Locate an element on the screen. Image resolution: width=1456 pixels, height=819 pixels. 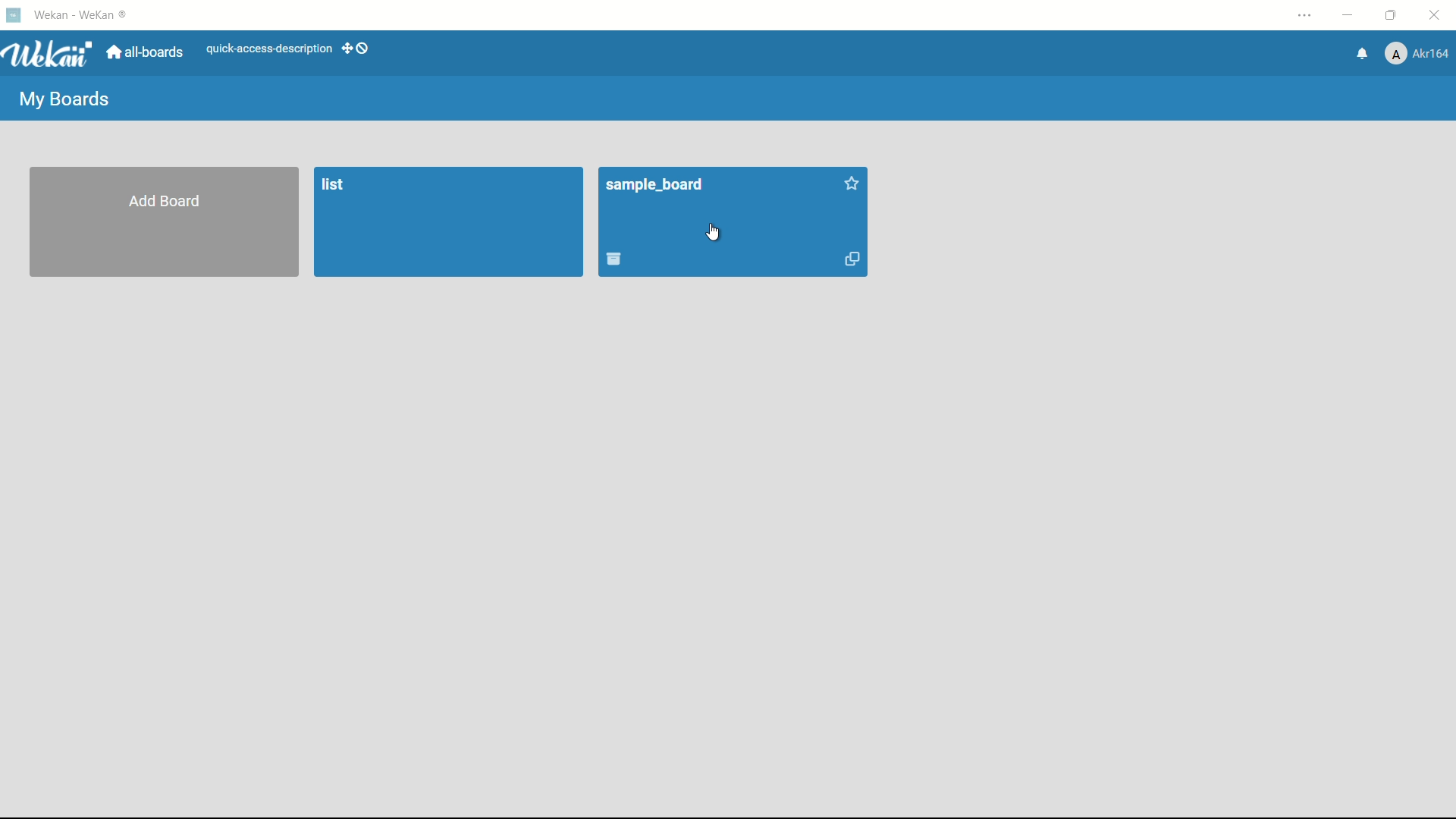
add star is located at coordinates (853, 184).